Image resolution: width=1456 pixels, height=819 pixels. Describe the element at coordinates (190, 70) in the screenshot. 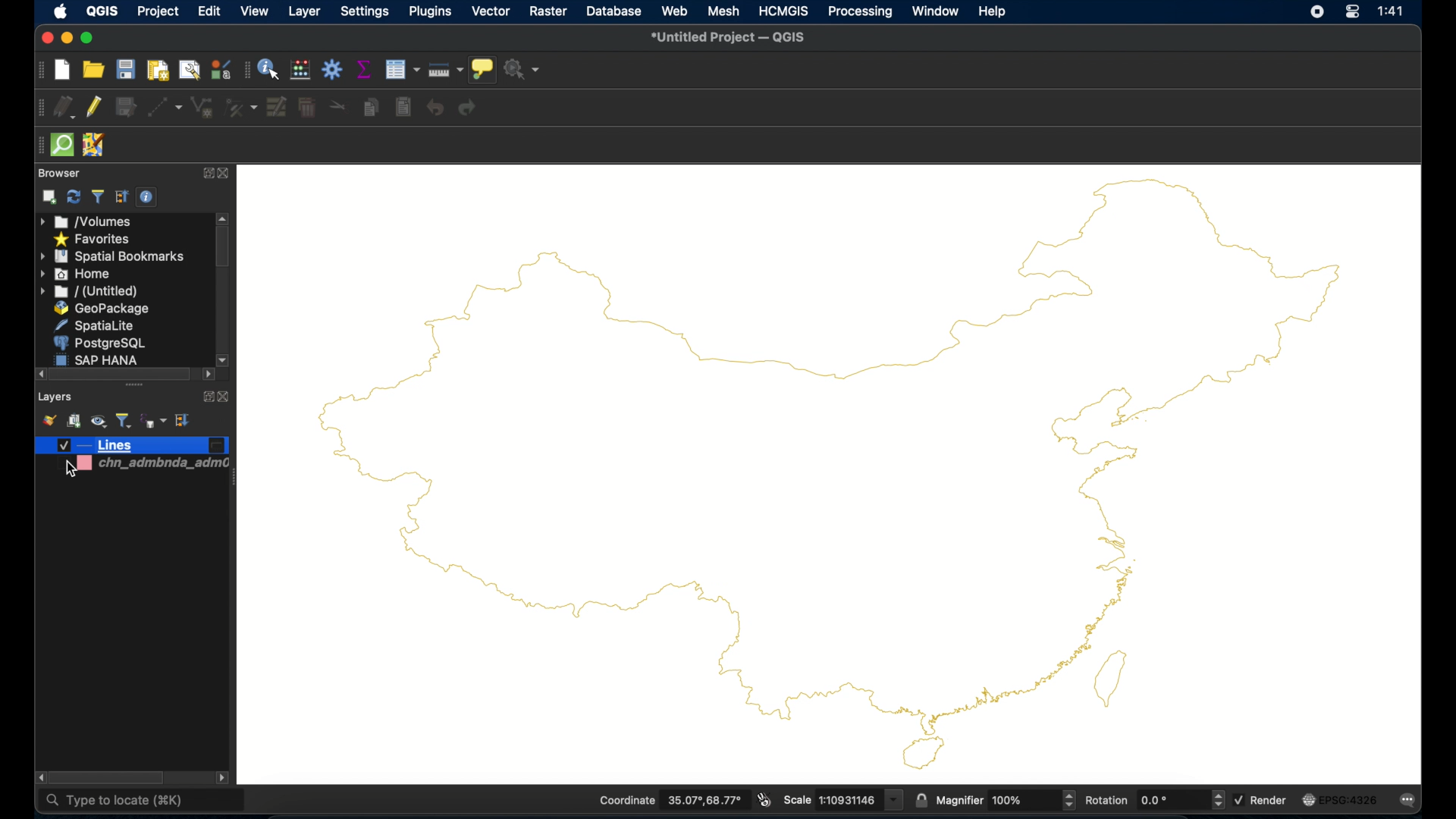

I see `open layout manager` at that location.